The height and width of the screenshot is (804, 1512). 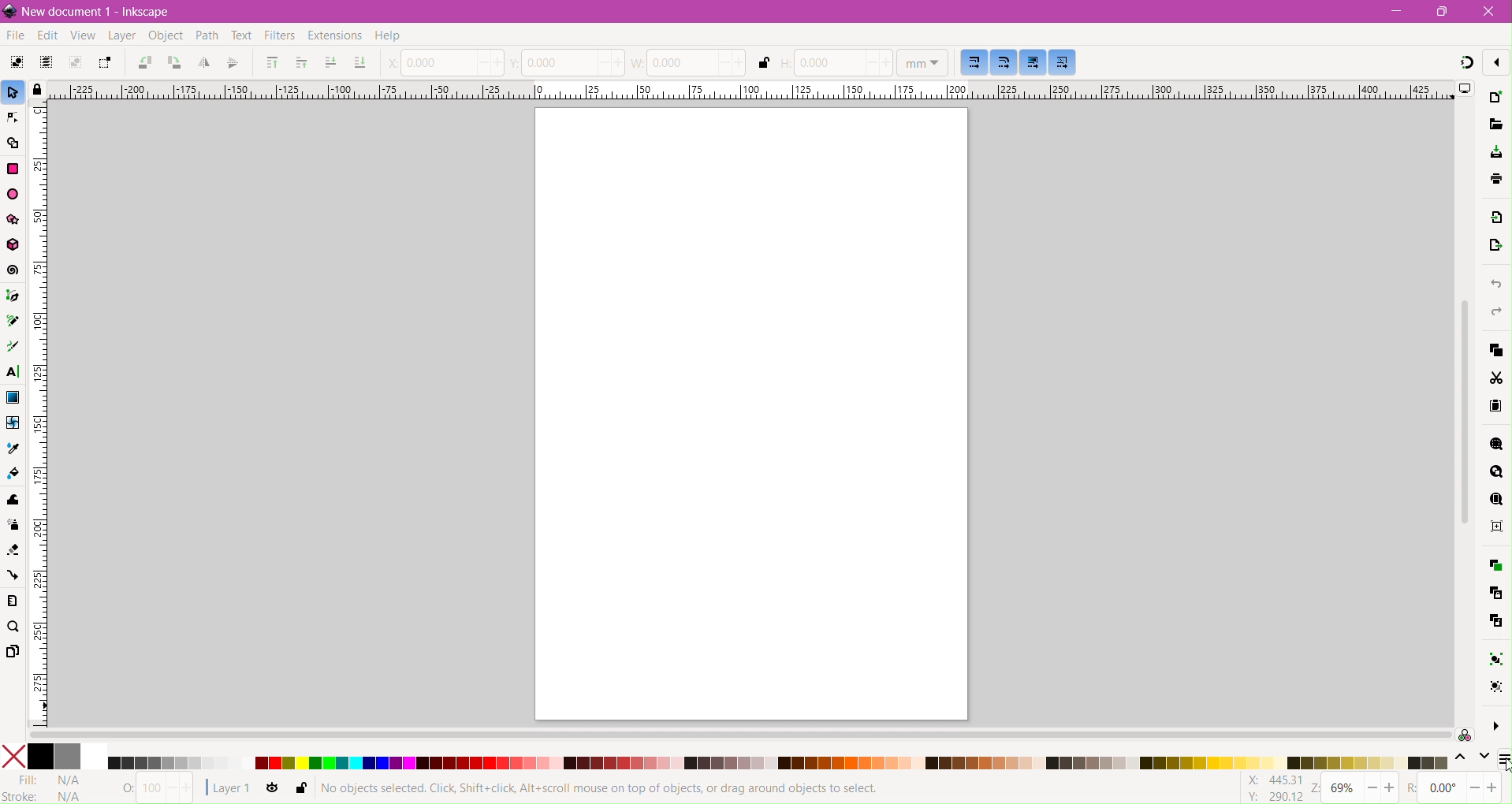 What do you see at coordinates (1493, 564) in the screenshot?
I see `Duplicate` at bounding box center [1493, 564].